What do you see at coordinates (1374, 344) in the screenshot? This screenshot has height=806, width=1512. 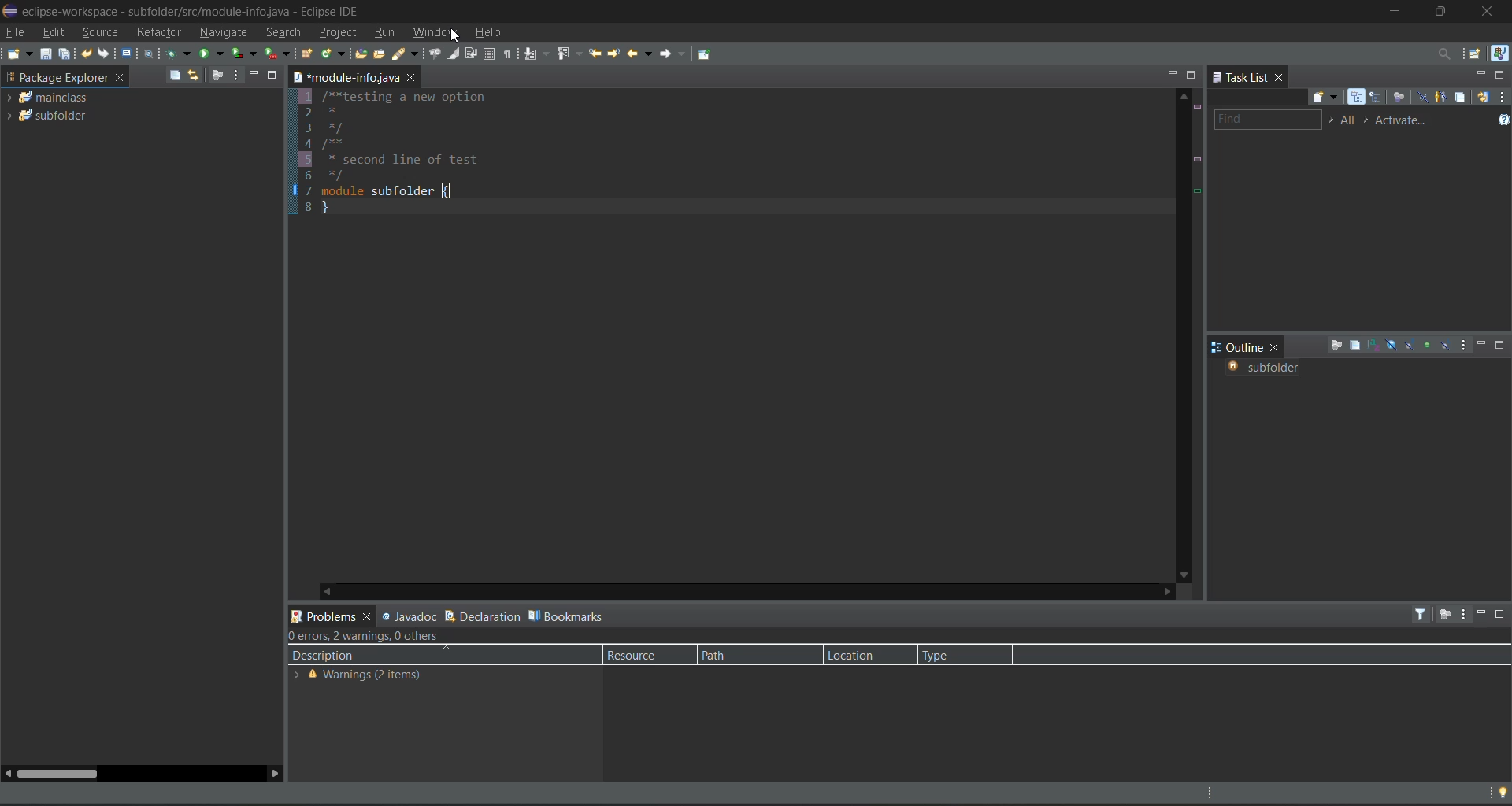 I see `sort` at bounding box center [1374, 344].